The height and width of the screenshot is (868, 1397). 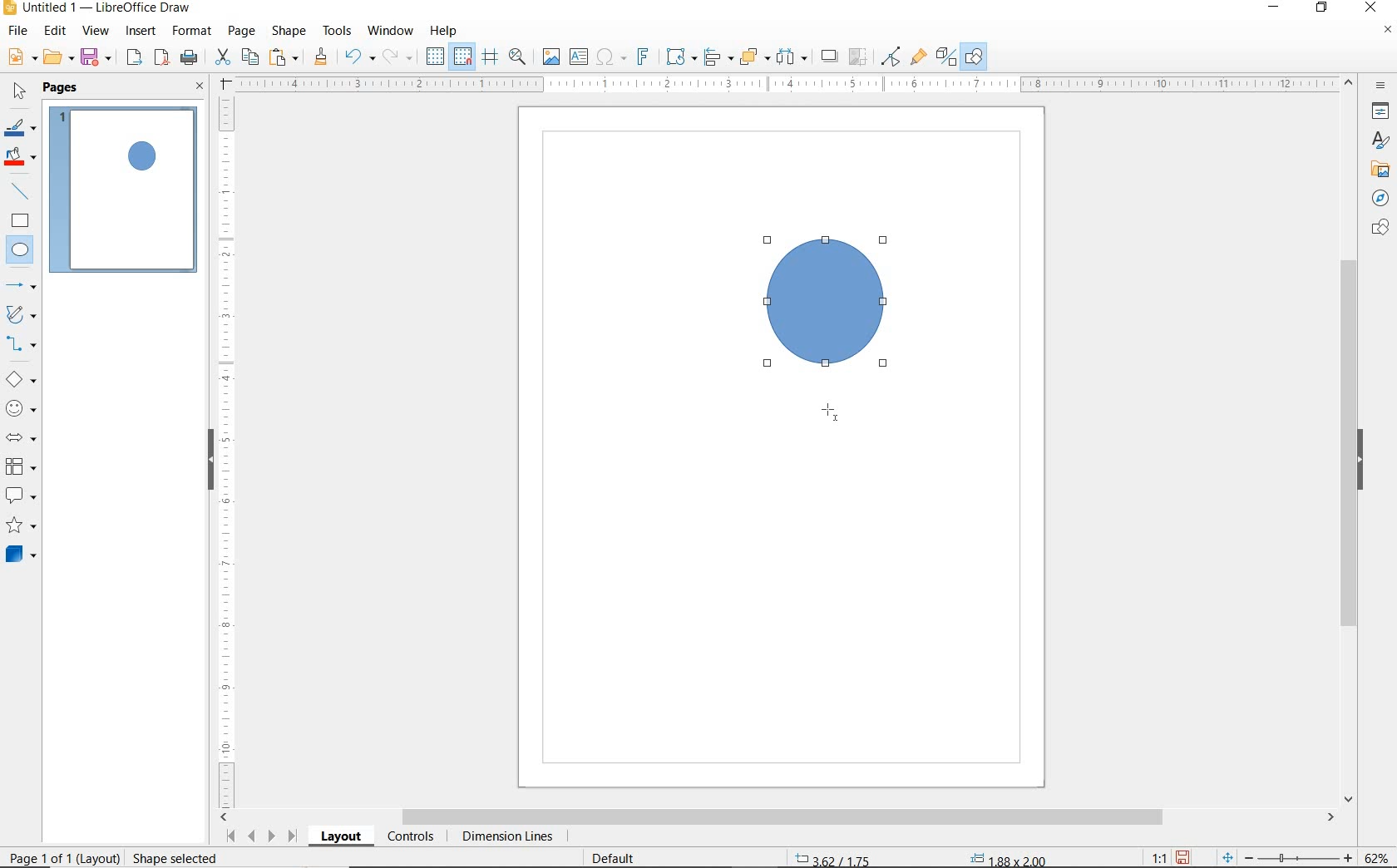 What do you see at coordinates (1375, 199) in the screenshot?
I see `NAVIGATOR` at bounding box center [1375, 199].